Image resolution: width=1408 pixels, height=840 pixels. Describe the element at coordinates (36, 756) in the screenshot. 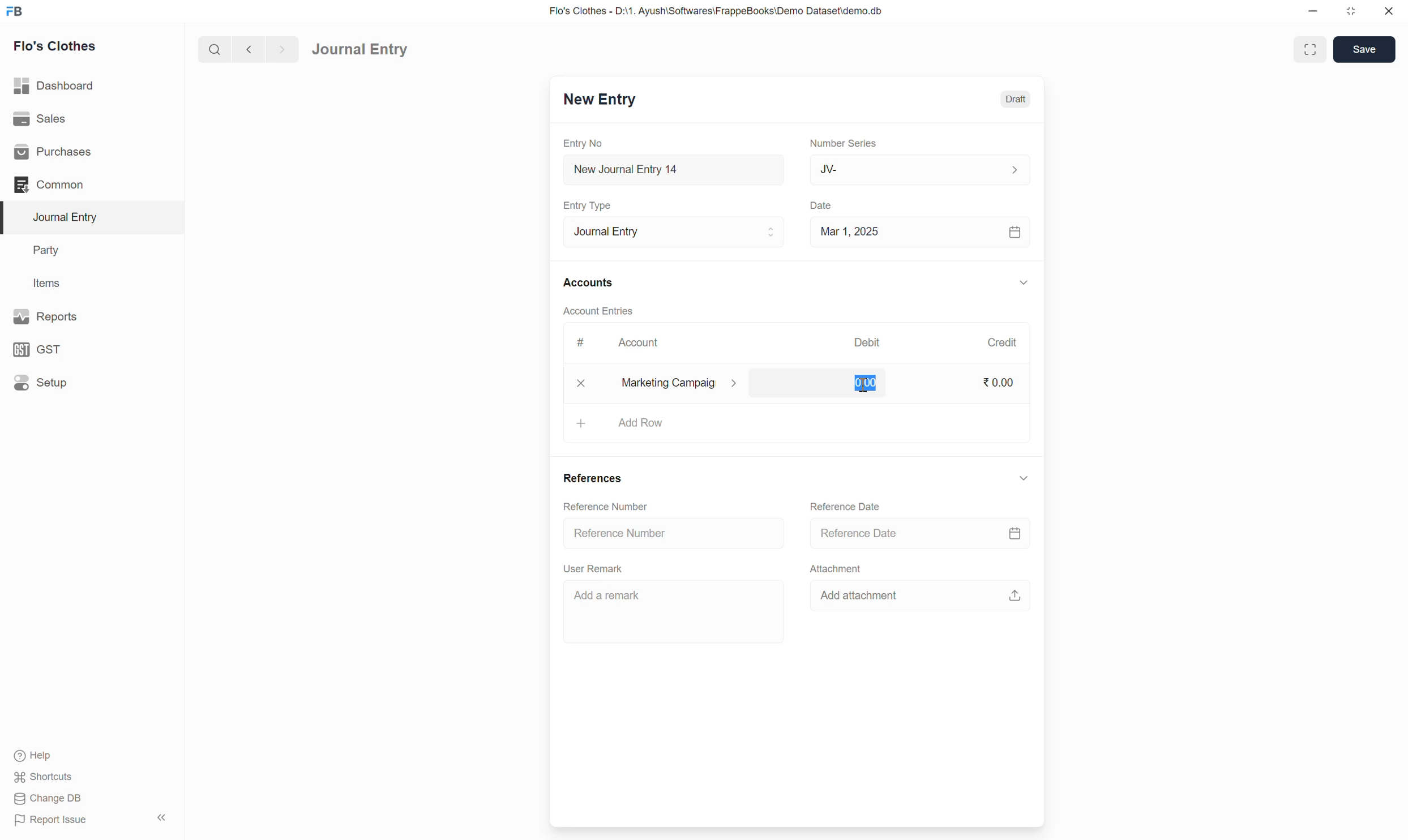

I see `Help` at that location.